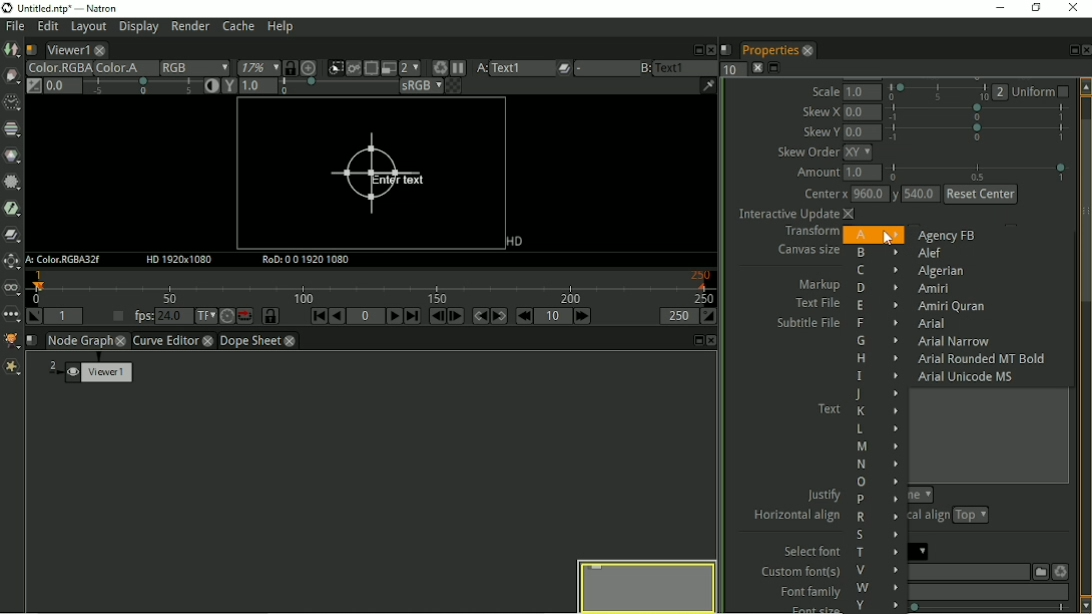  What do you see at coordinates (11, 317) in the screenshot?
I see `Other` at bounding box center [11, 317].